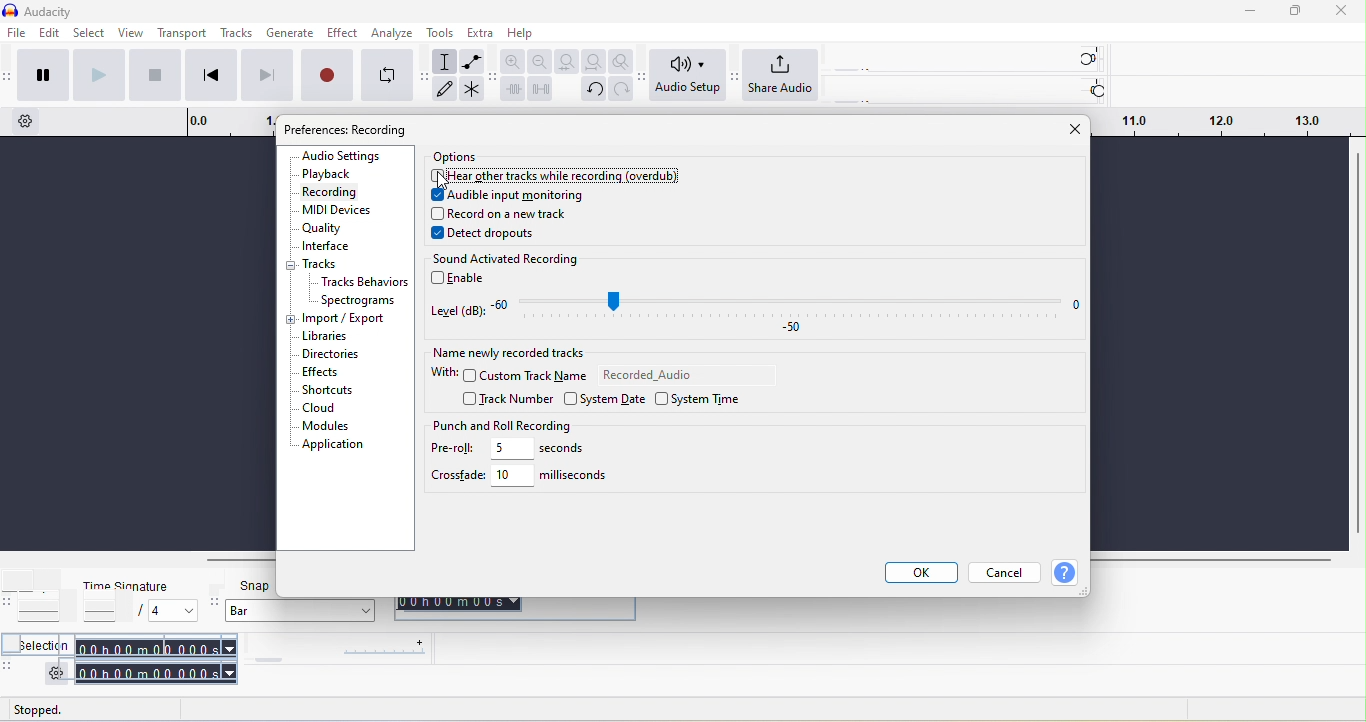  What do you see at coordinates (624, 61) in the screenshot?
I see `zoom toggle` at bounding box center [624, 61].